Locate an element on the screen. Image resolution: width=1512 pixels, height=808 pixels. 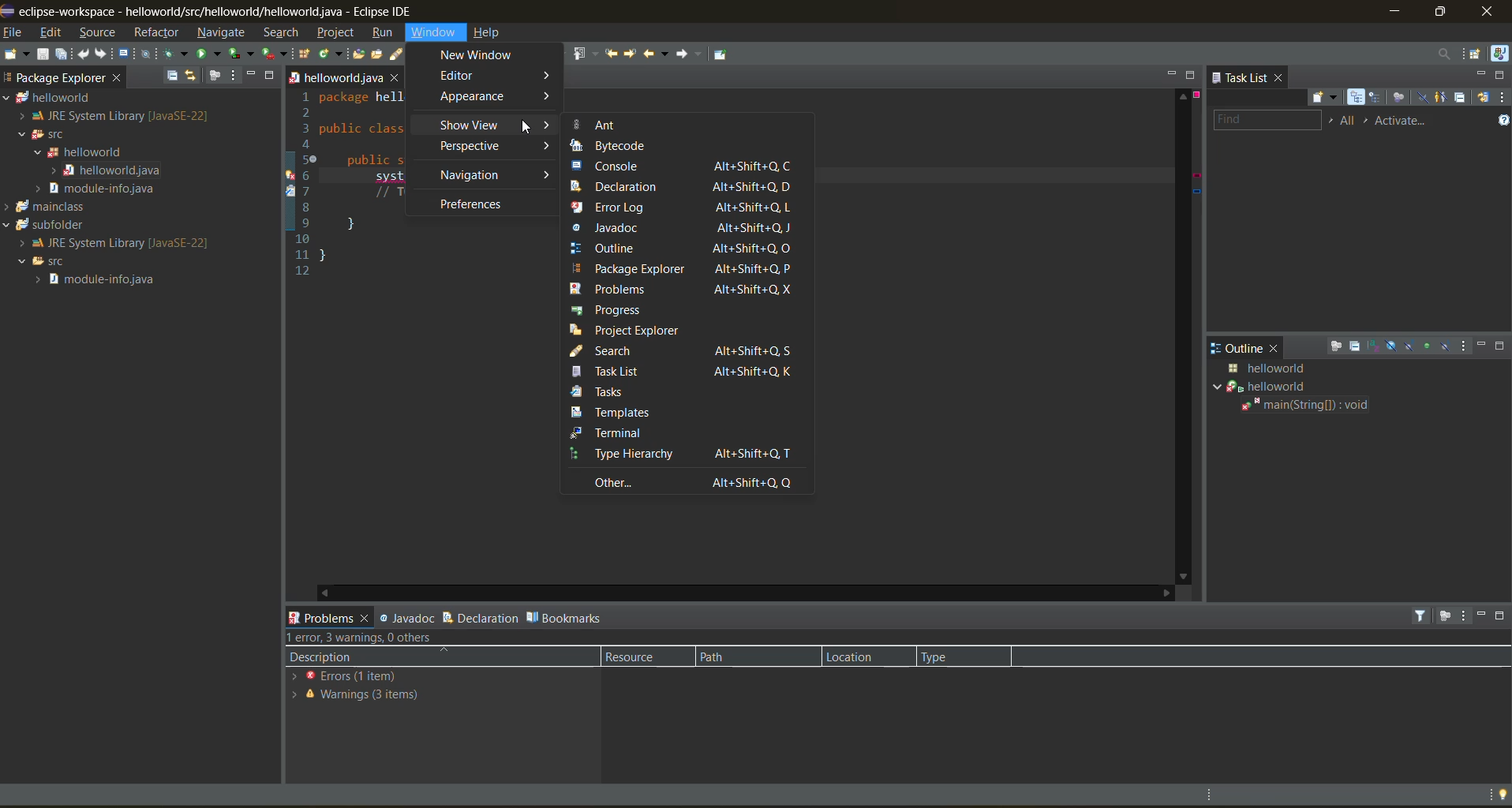
maximize is located at coordinates (270, 76).